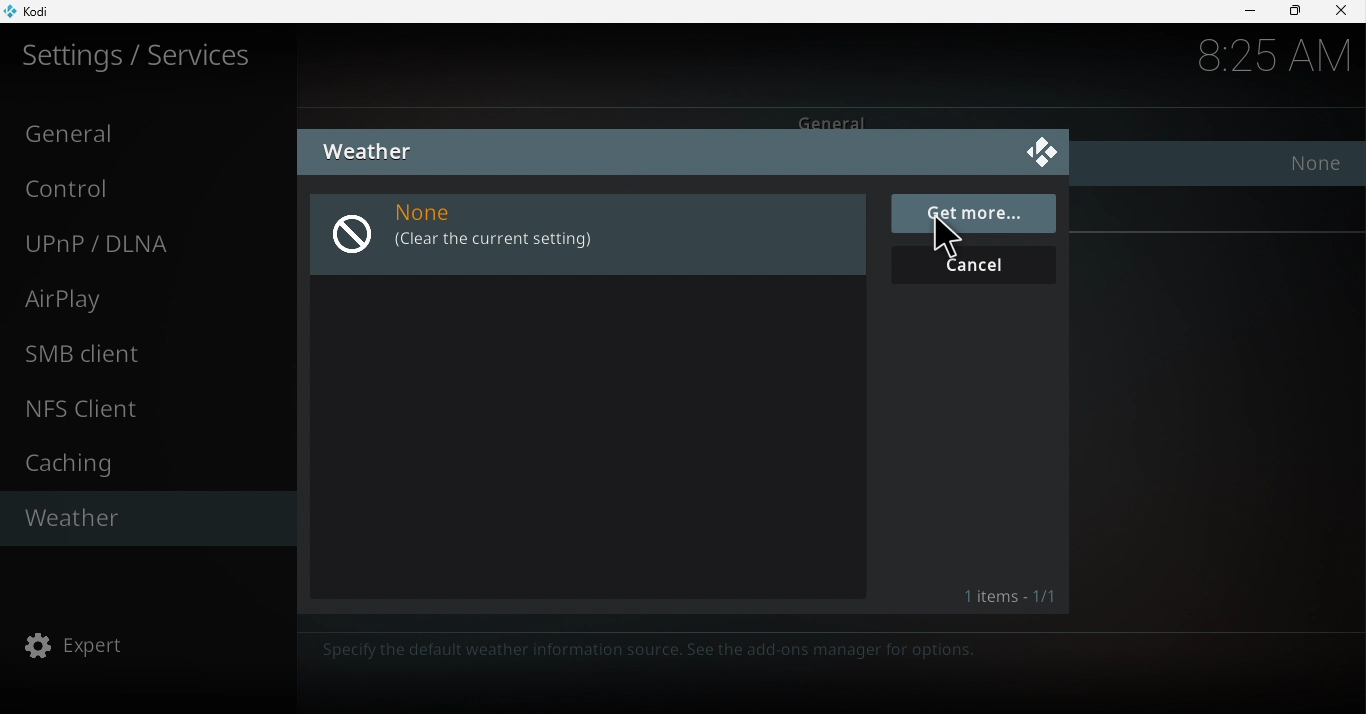 The width and height of the screenshot is (1366, 714). Describe the element at coordinates (1011, 596) in the screenshot. I see `Items` at that location.